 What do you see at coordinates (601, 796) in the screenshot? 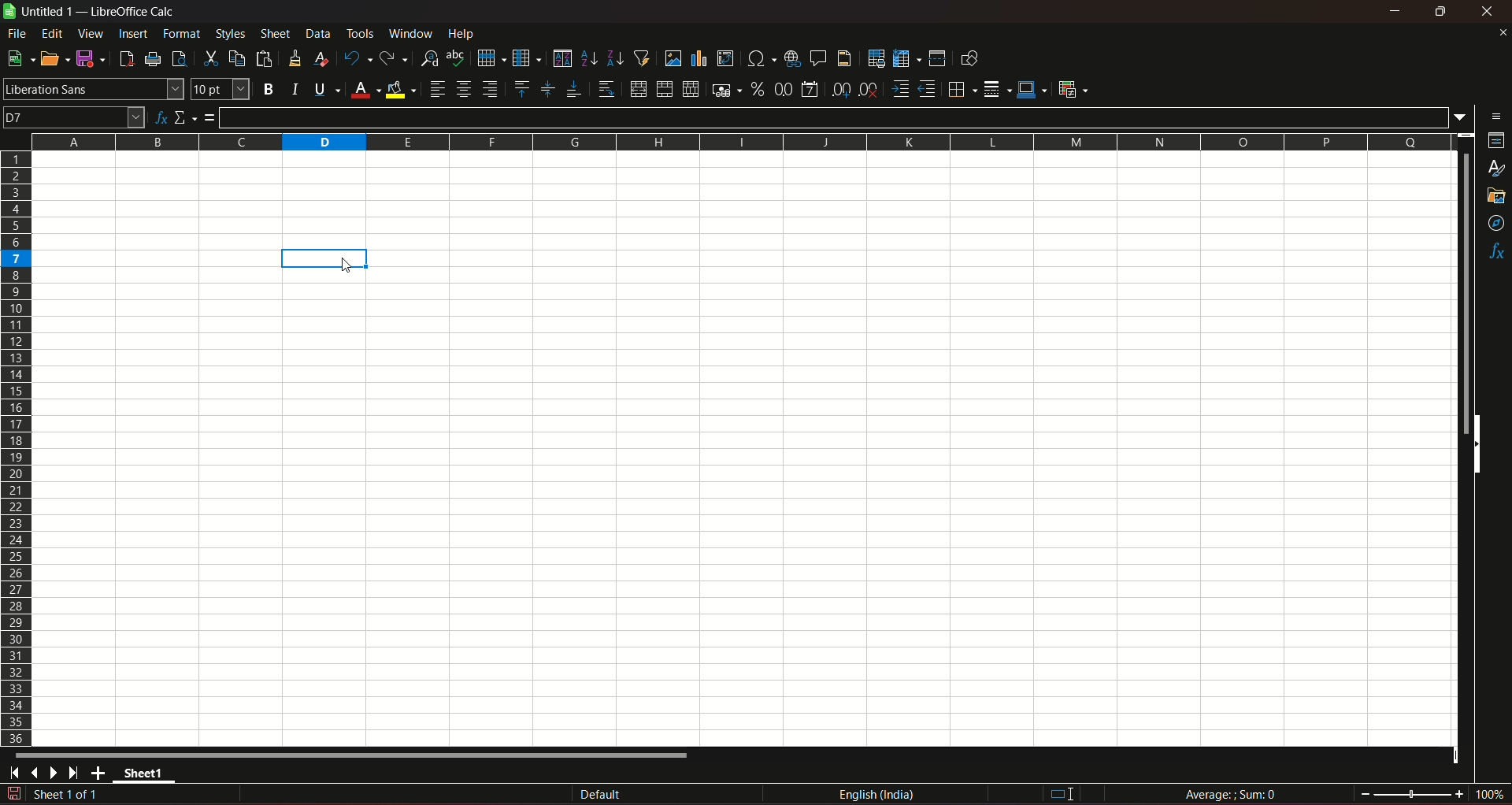
I see `default` at bounding box center [601, 796].